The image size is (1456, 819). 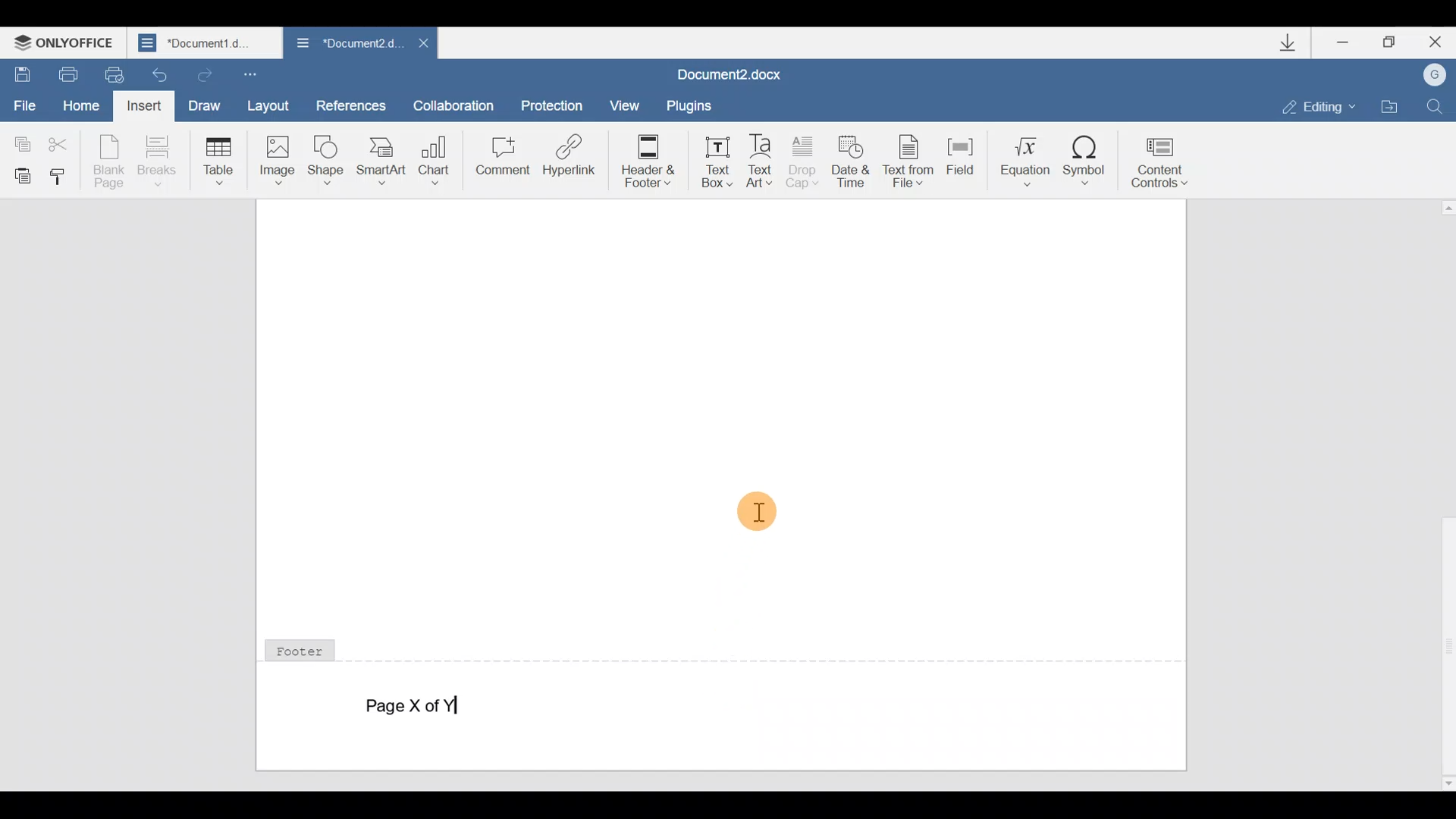 I want to click on Draw, so click(x=209, y=106).